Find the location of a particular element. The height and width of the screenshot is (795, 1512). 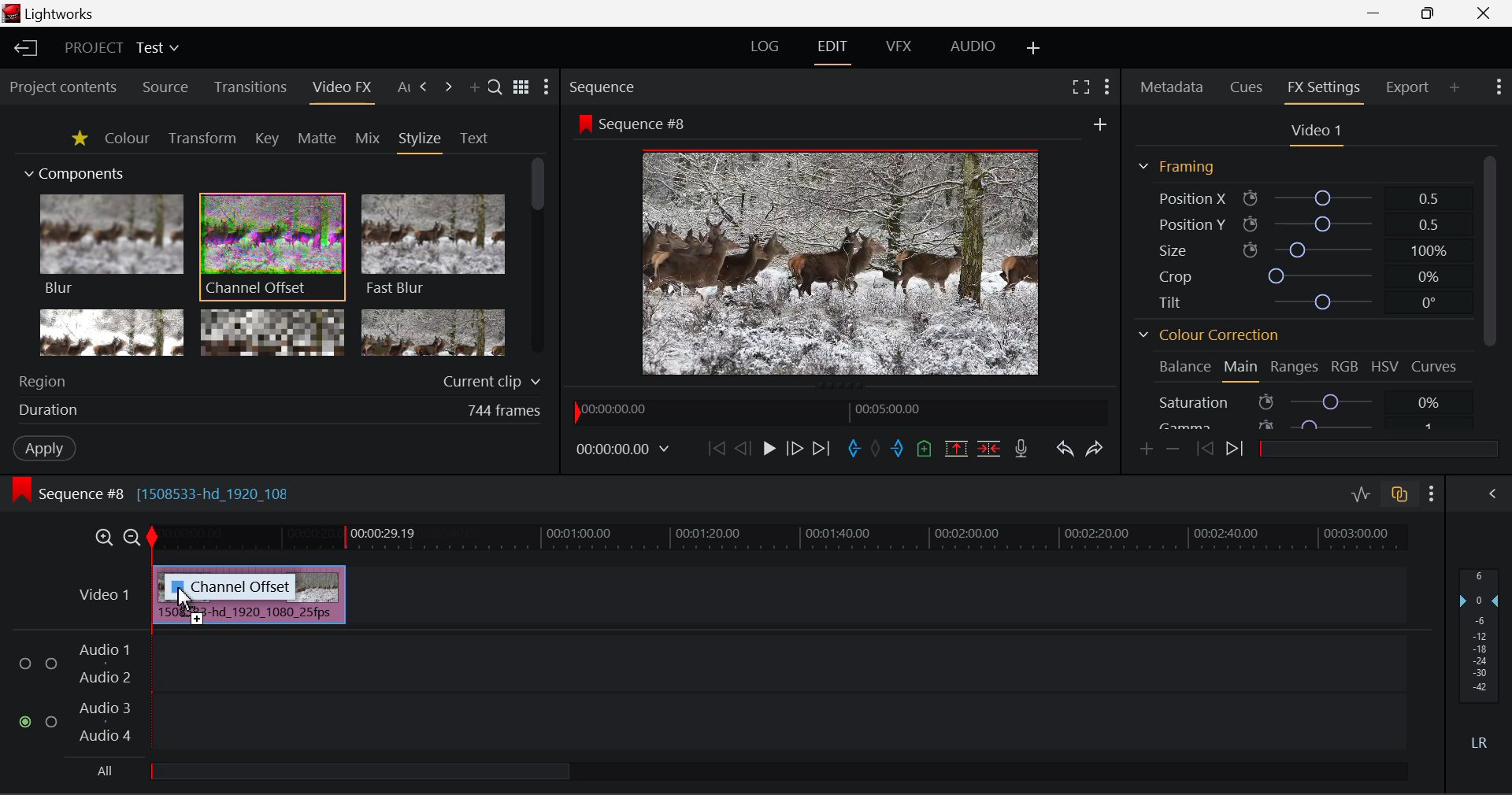

Add keyframe is located at coordinates (1145, 453).